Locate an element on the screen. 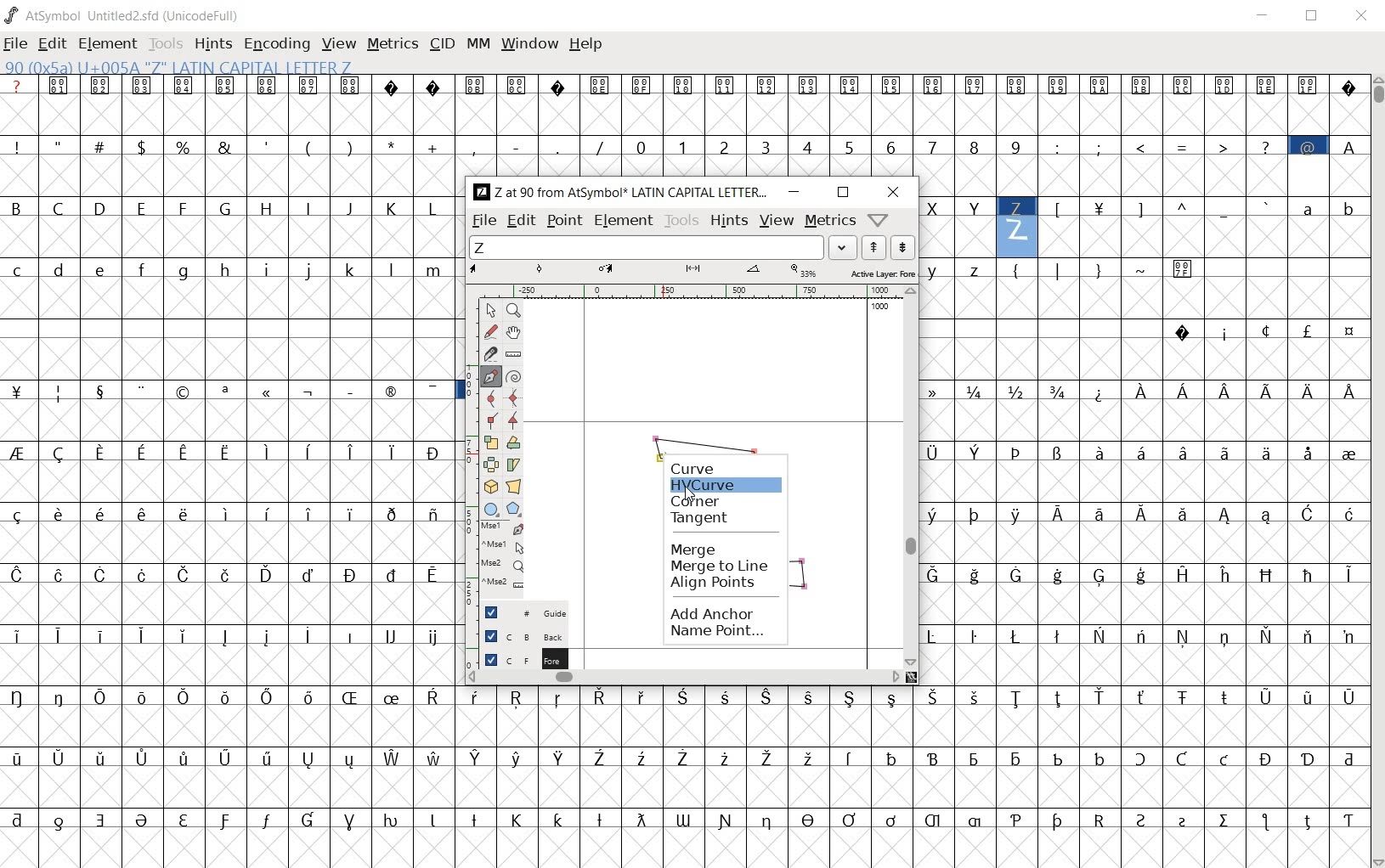  mm is located at coordinates (478, 43).